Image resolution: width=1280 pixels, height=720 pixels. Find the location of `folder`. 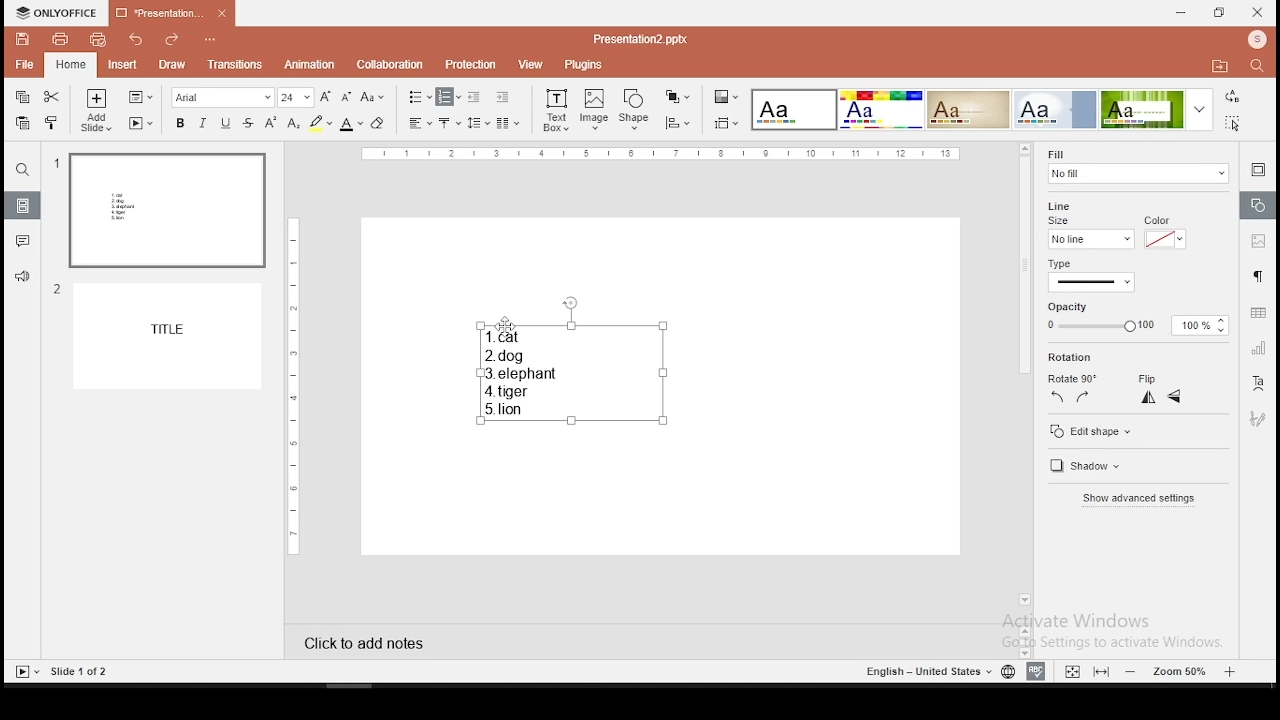

folder is located at coordinates (1220, 65).